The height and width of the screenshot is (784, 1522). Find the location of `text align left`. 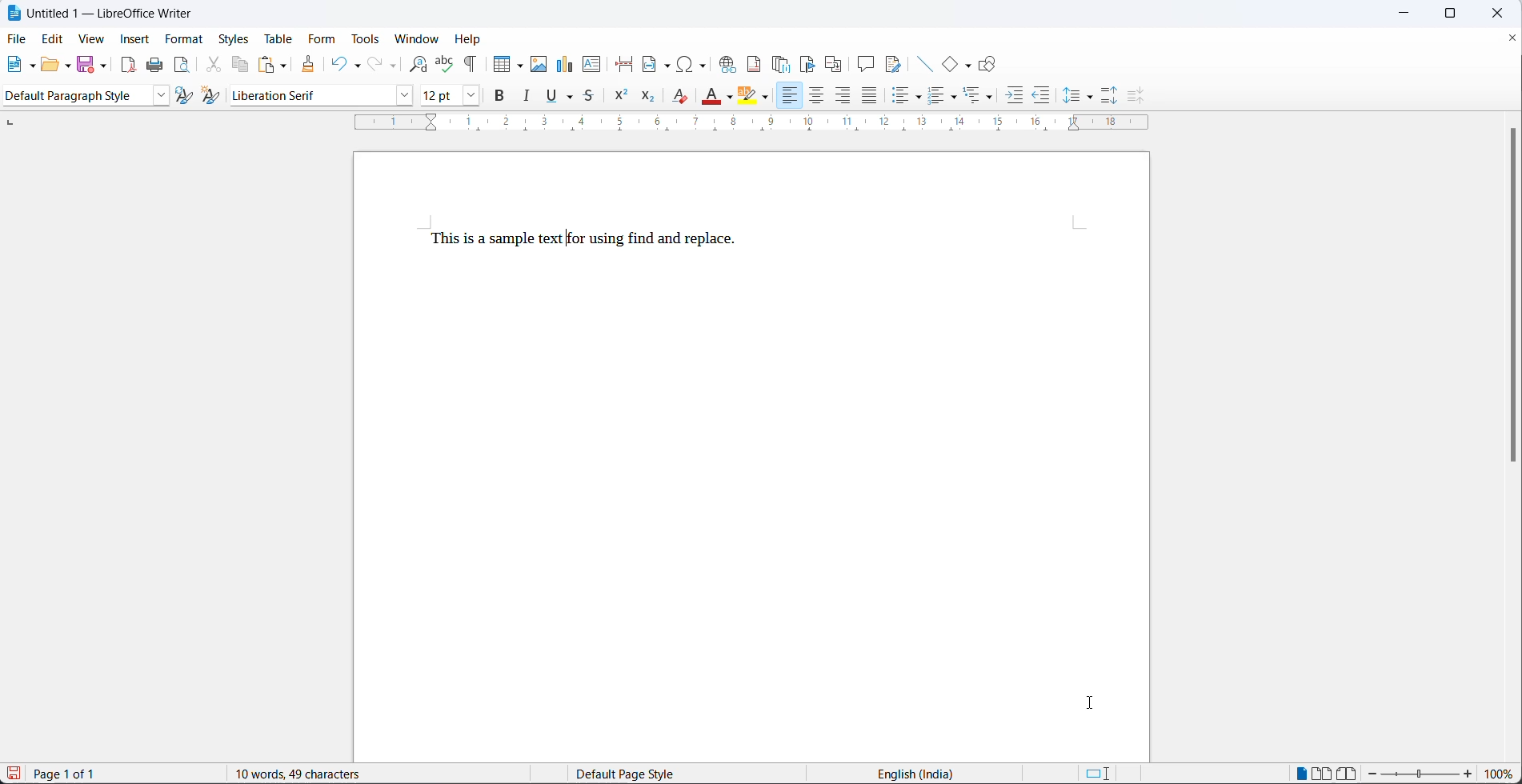

text align left is located at coordinates (788, 96).